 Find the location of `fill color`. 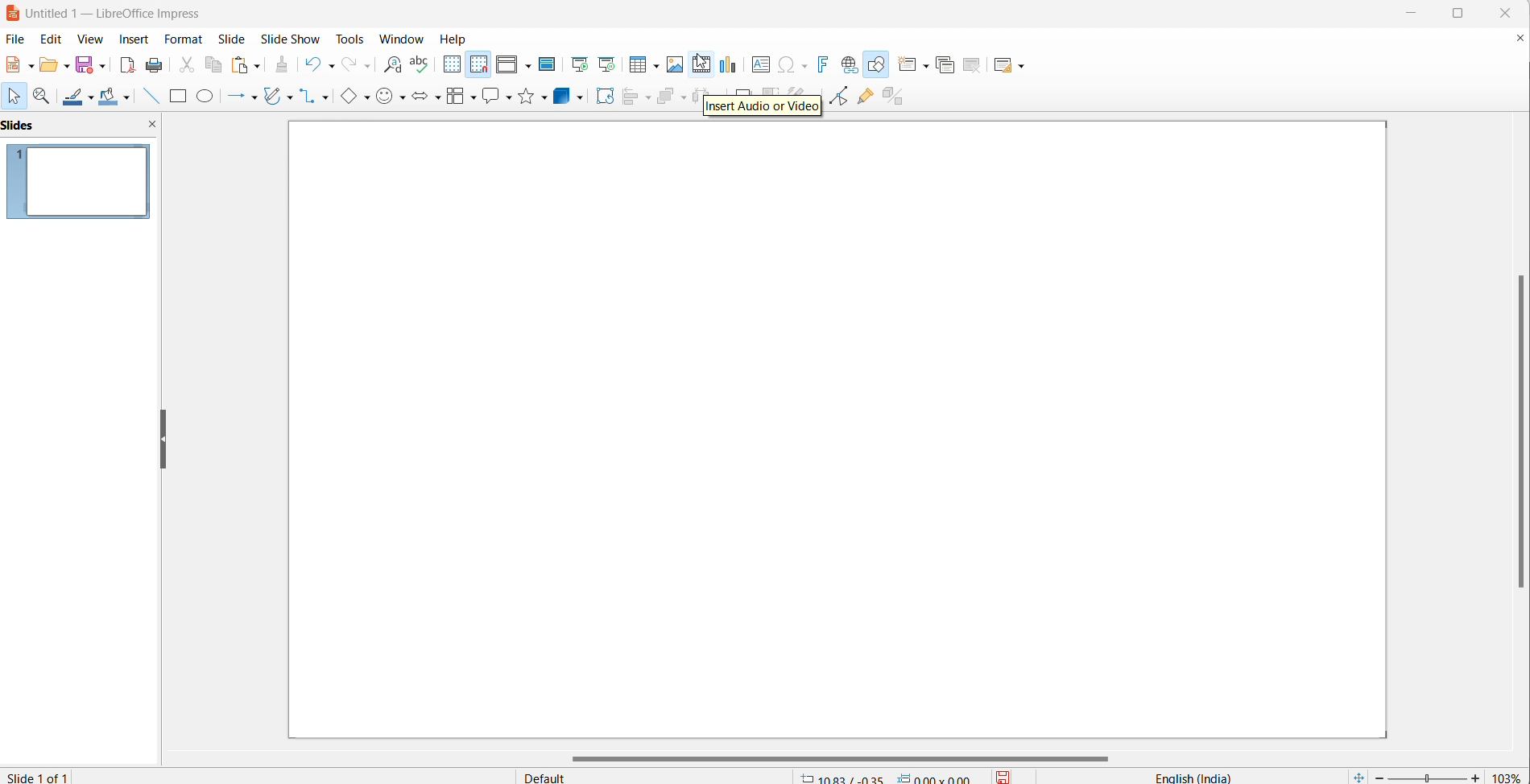

fill color is located at coordinates (108, 97).